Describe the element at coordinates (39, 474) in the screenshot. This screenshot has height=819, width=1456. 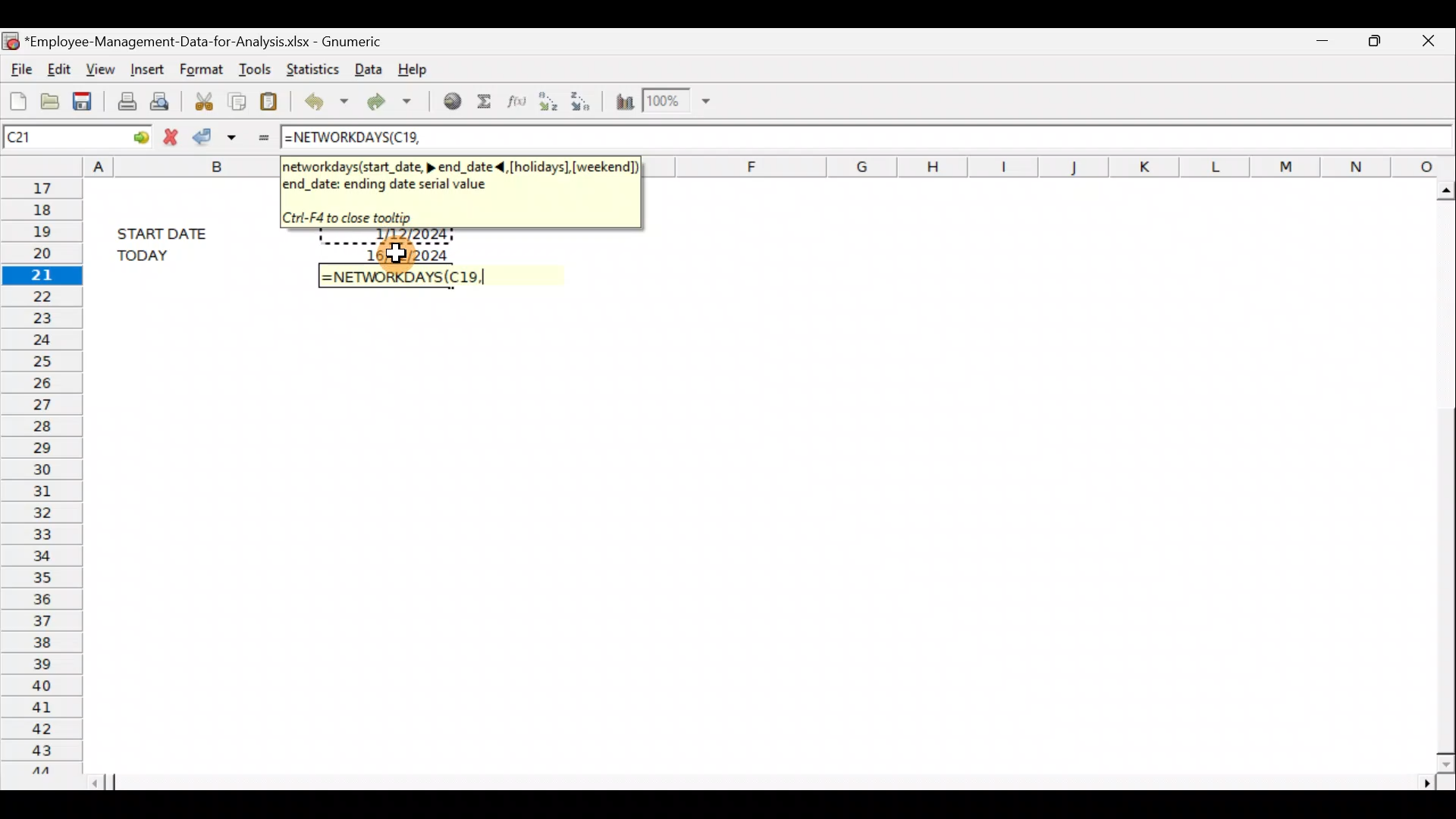
I see `Rows` at that location.